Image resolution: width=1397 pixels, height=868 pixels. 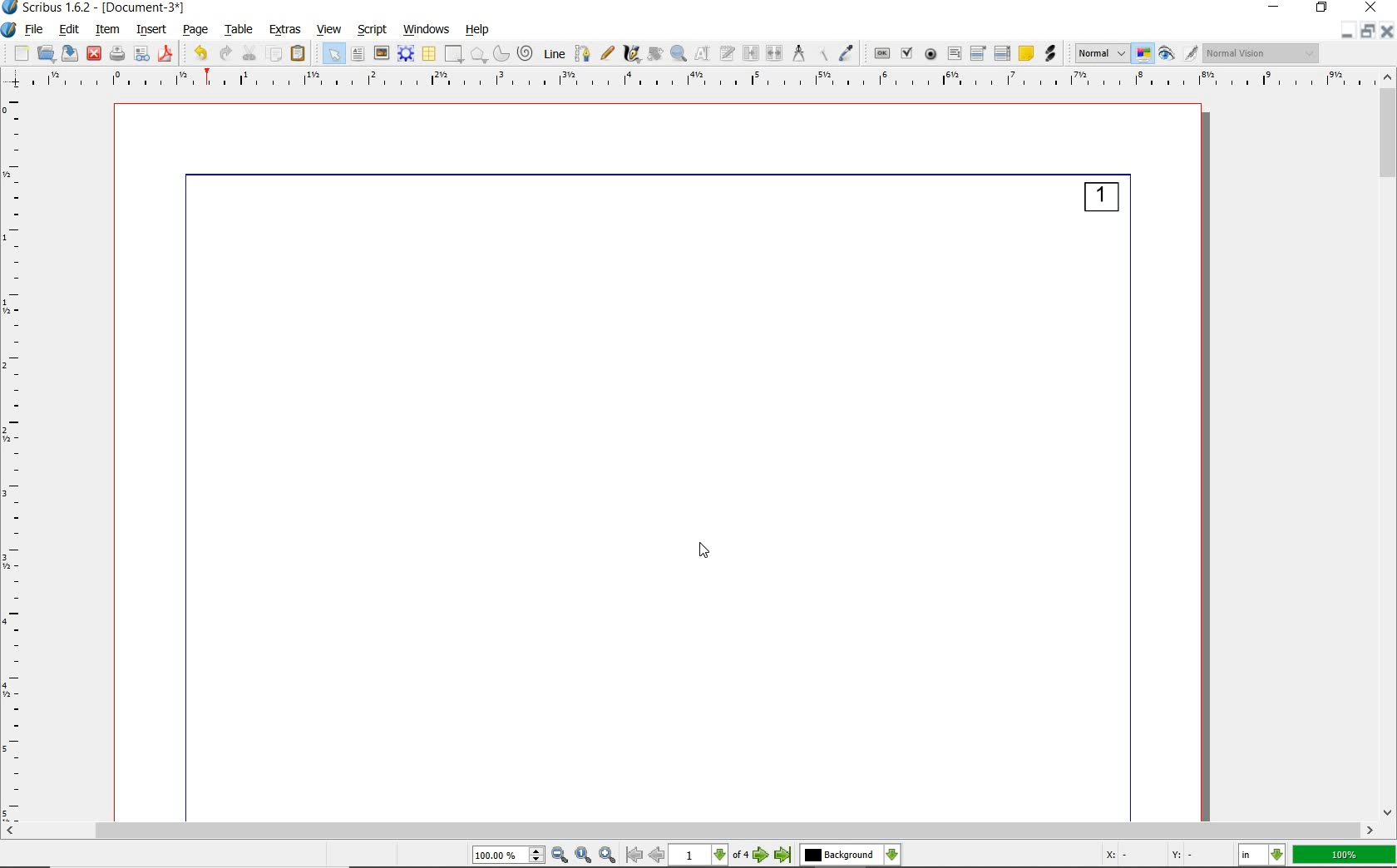 What do you see at coordinates (20, 54) in the screenshot?
I see `new` at bounding box center [20, 54].